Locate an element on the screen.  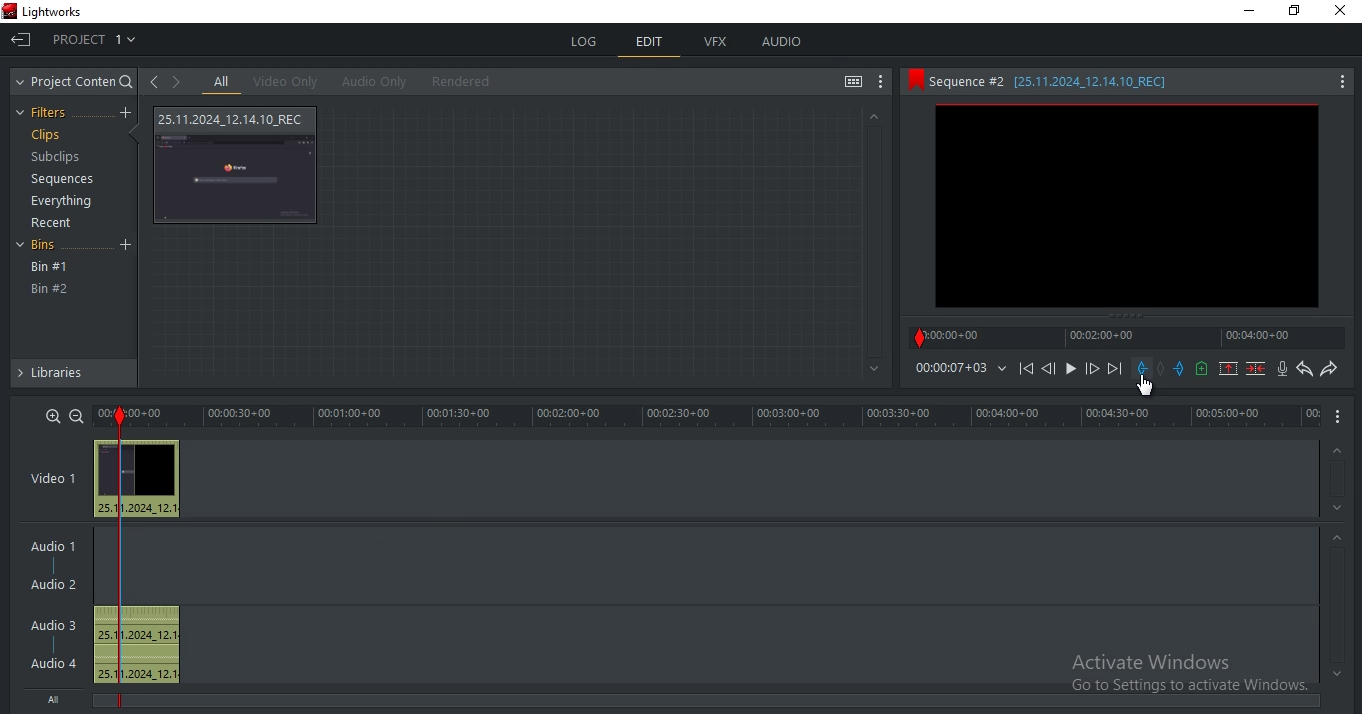
Add Bin is located at coordinates (128, 246).